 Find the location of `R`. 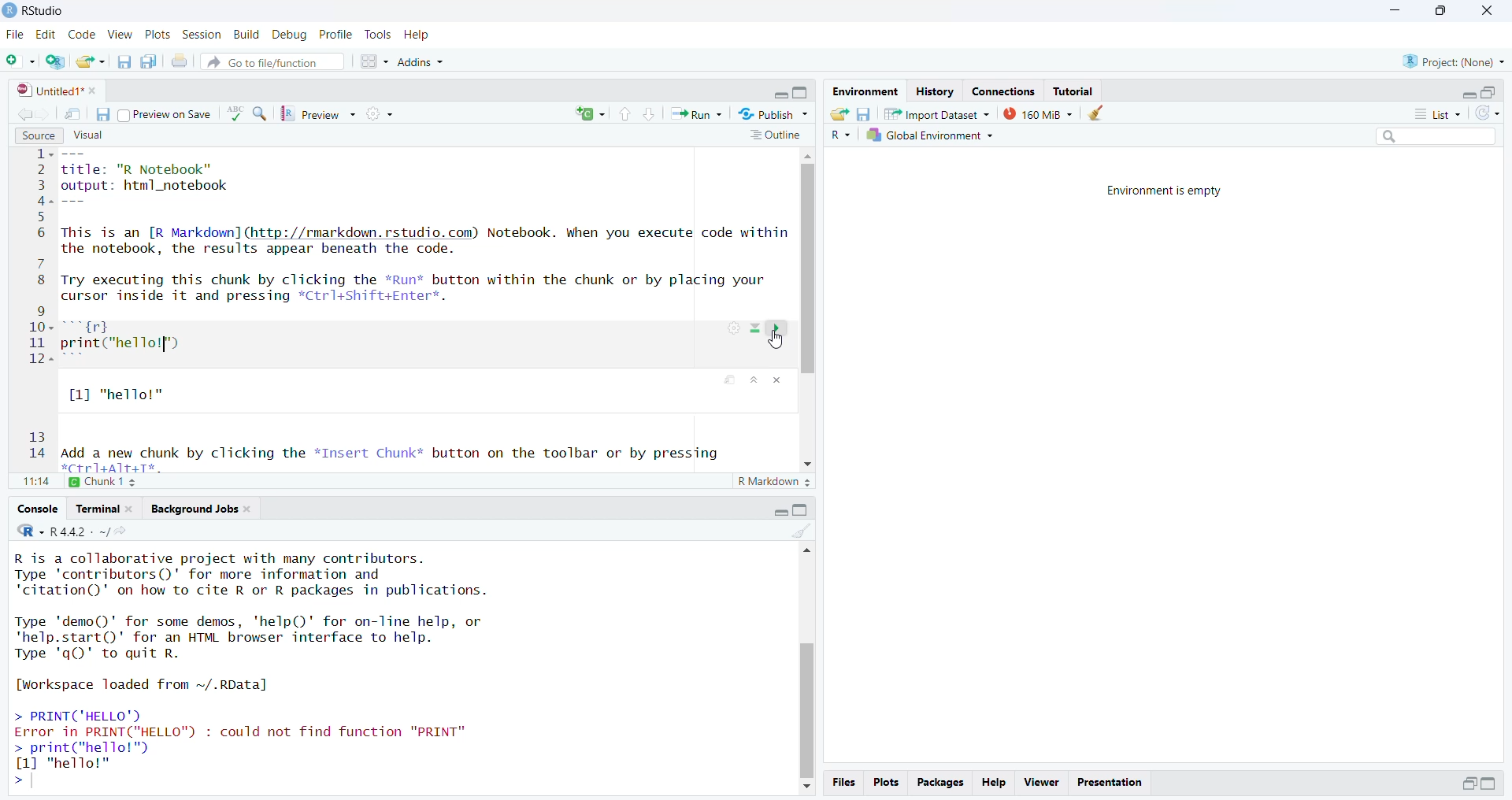

R is located at coordinates (838, 136).